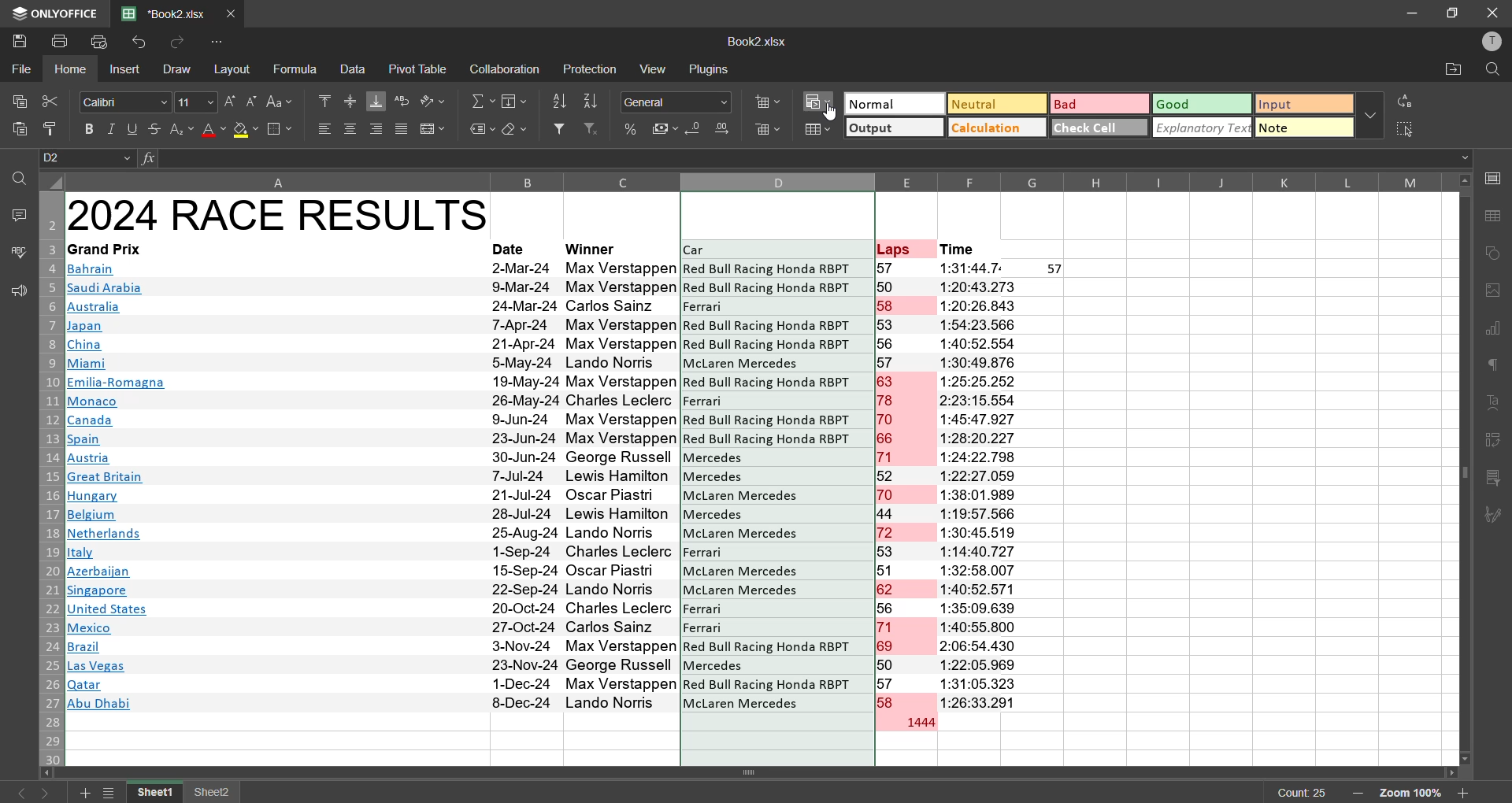 This screenshot has width=1512, height=803. What do you see at coordinates (235, 69) in the screenshot?
I see `layout` at bounding box center [235, 69].